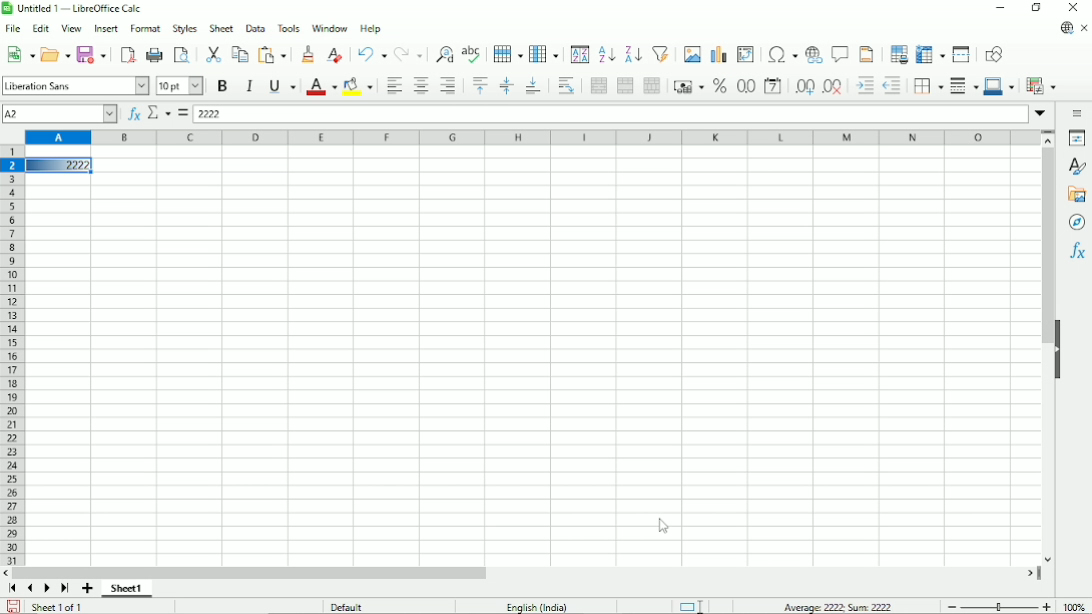 This screenshot has width=1092, height=614. What do you see at coordinates (746, 54) in the screenshot?
I see `Insert or edit pivot table` at bounding box center [746, 54].